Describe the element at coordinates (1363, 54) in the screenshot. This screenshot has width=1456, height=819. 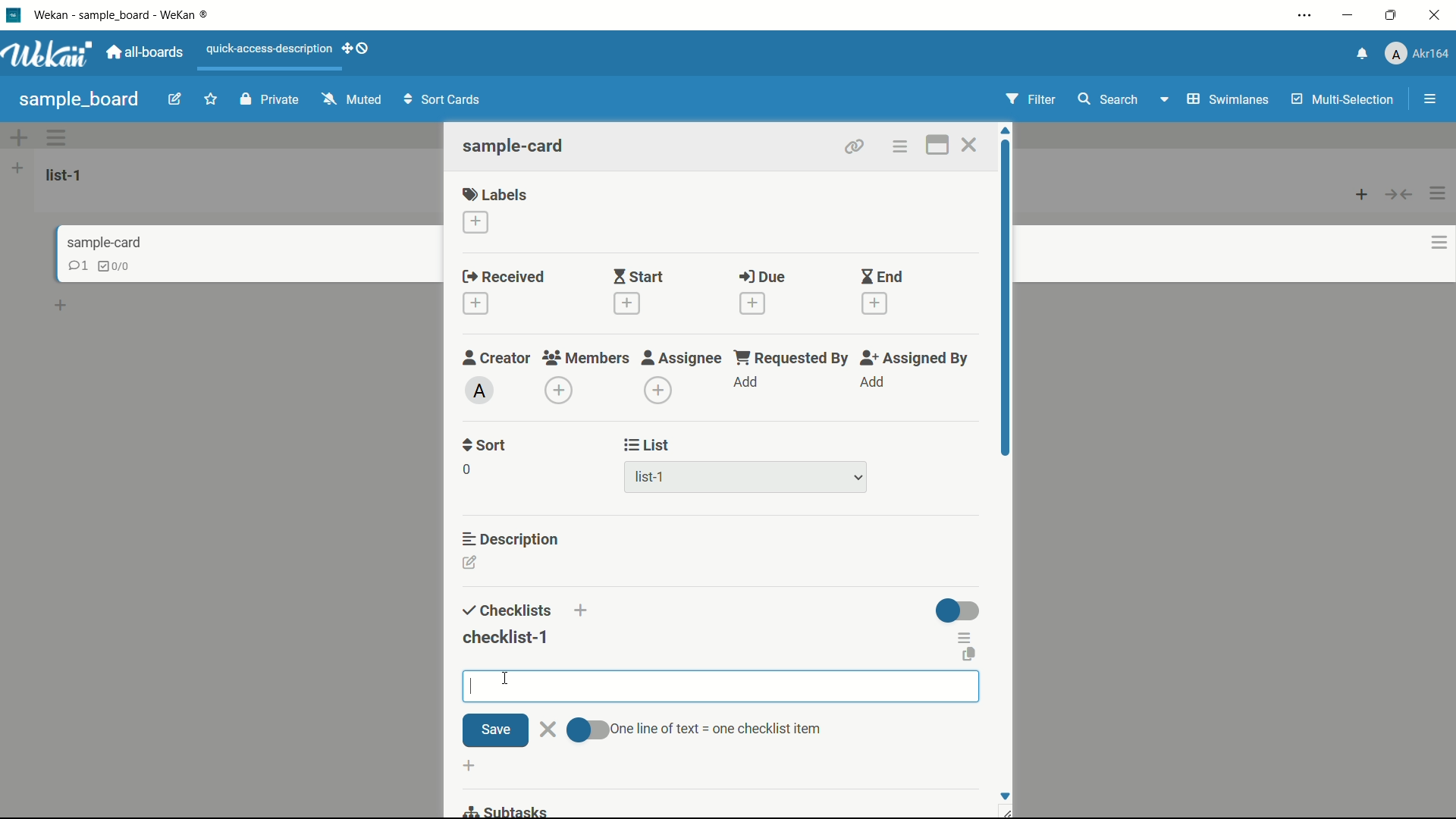
I see `notifications` at that location.